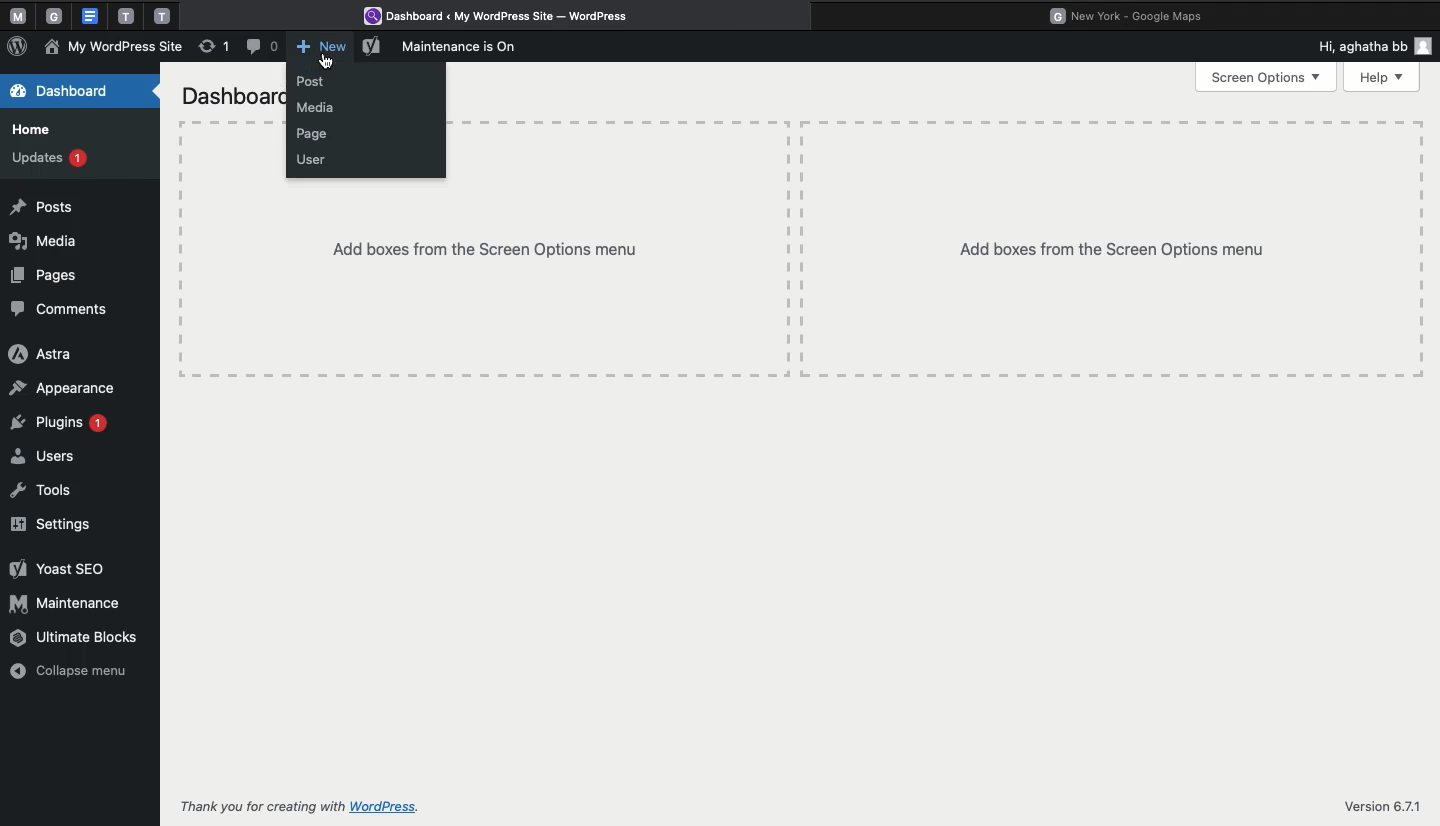  Describe the element at coordinates (313, 161) in the screenshot. I see `User` at that location.